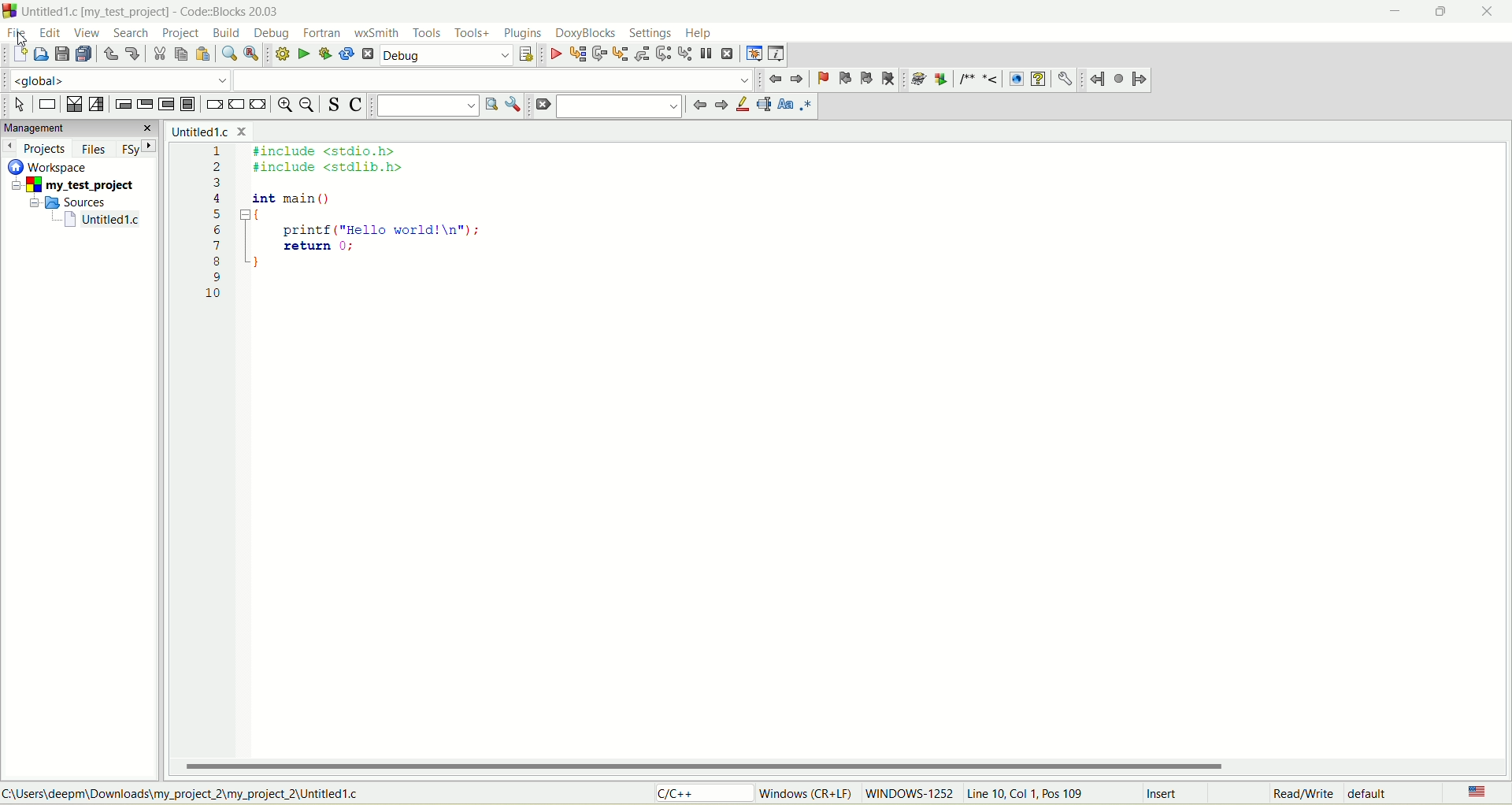 The width and height of the screenshot is (1512, 805). Describe the element at coordinates (369, 57) in the screenshot. I see `abort` at that location.